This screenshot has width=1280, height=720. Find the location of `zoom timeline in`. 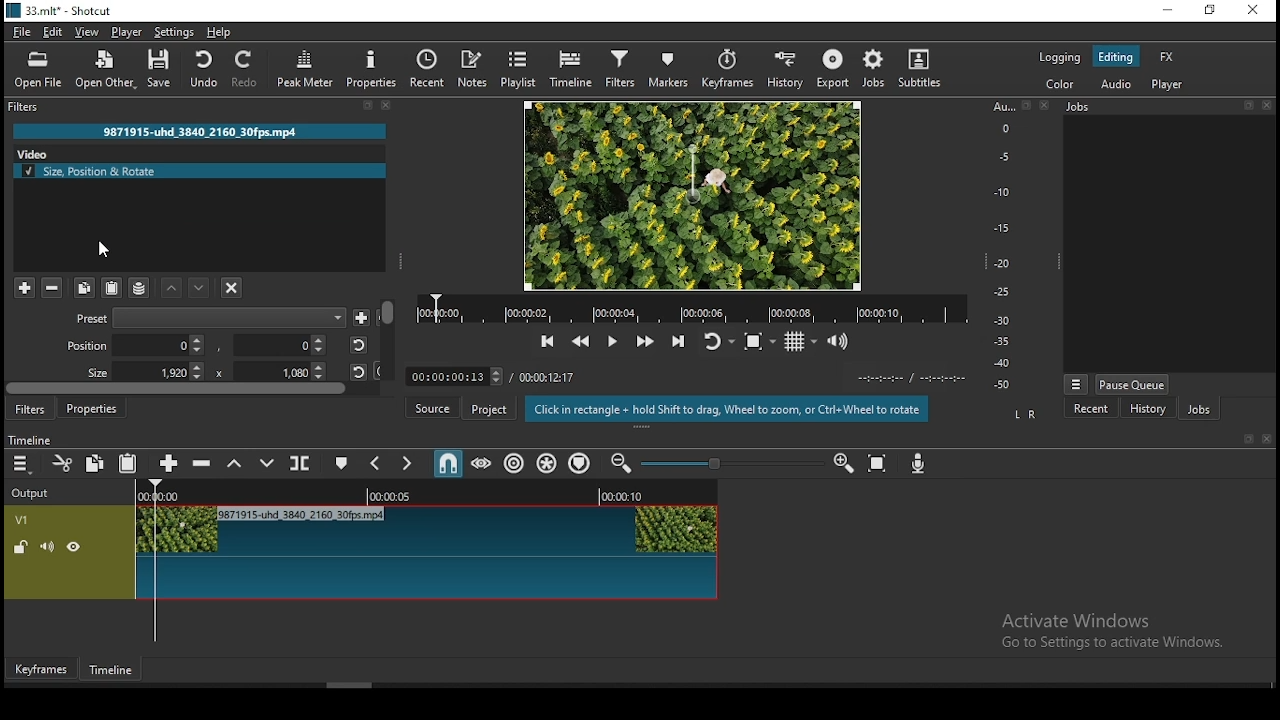

zoom timeline in is located at coordinates (841, 467).